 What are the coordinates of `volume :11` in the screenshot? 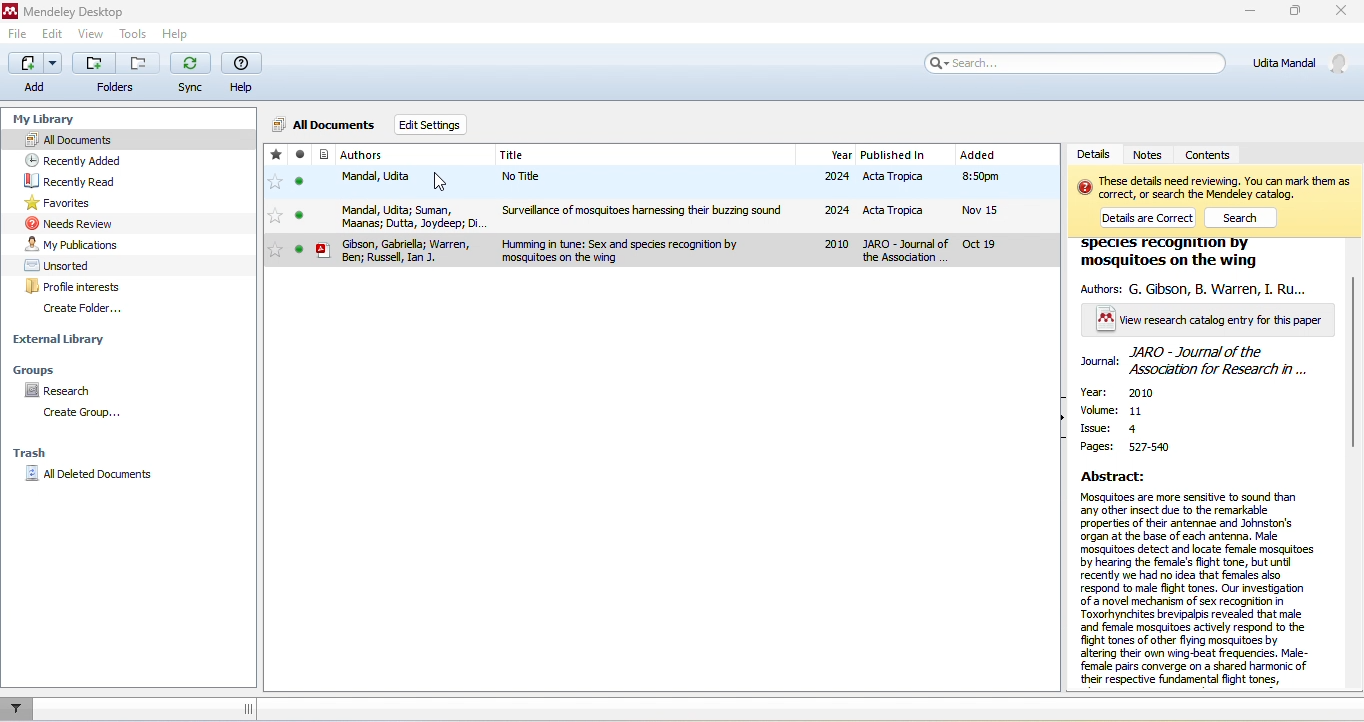 It's located at (1118, 412).